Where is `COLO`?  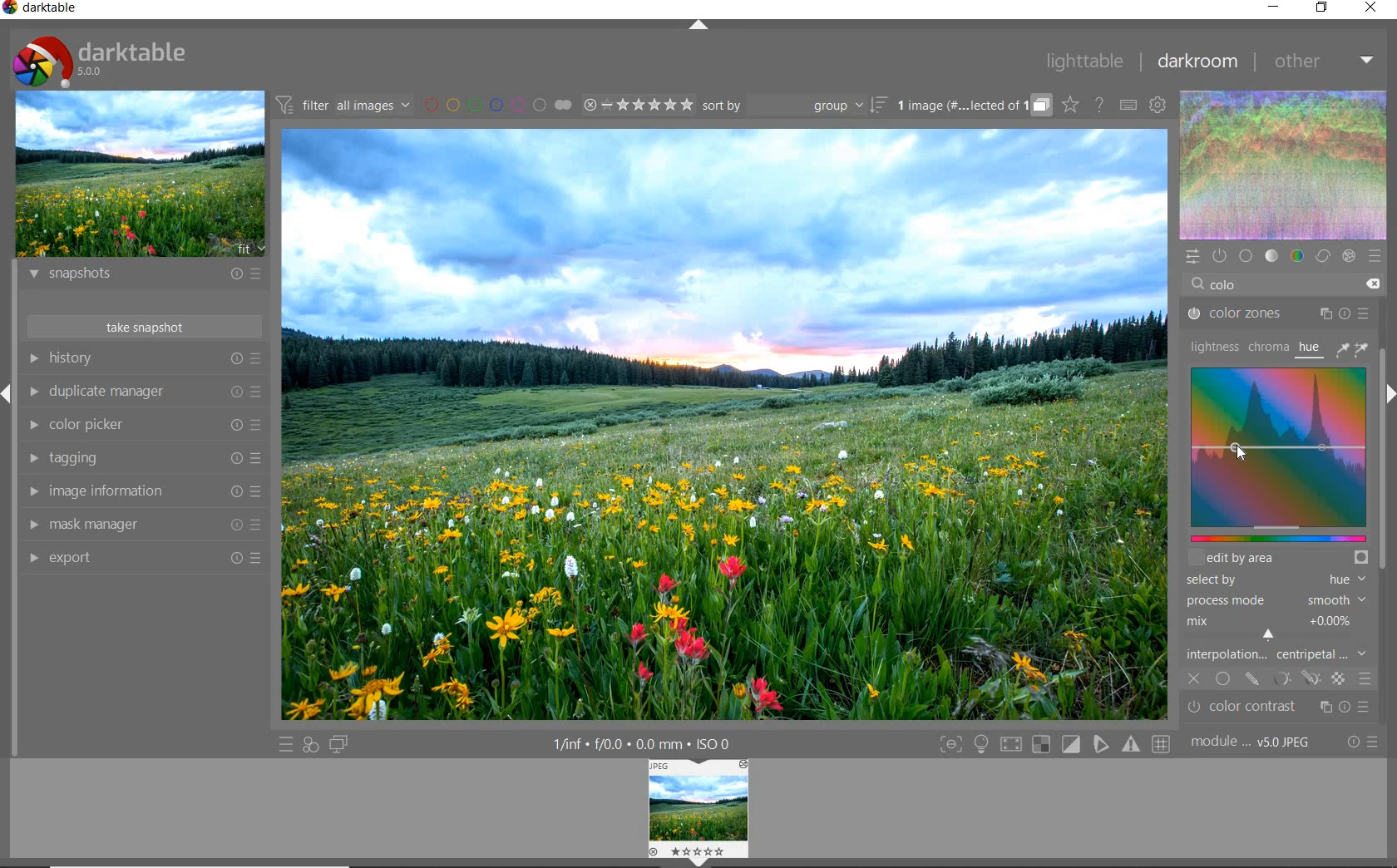
COLO is located at coordinates (1244, 286).